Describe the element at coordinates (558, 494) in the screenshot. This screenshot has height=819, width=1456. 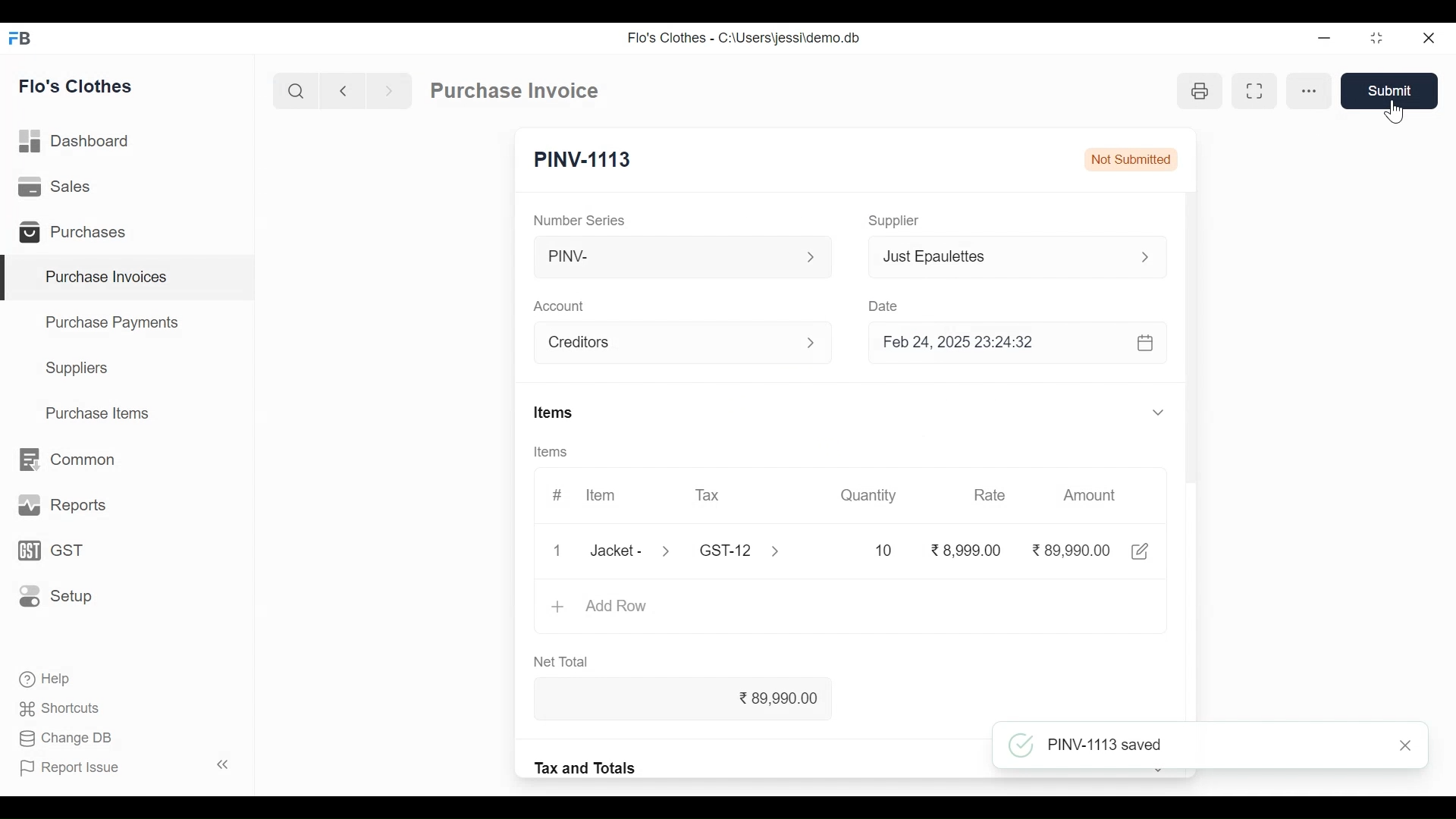
I see `#` at that location.